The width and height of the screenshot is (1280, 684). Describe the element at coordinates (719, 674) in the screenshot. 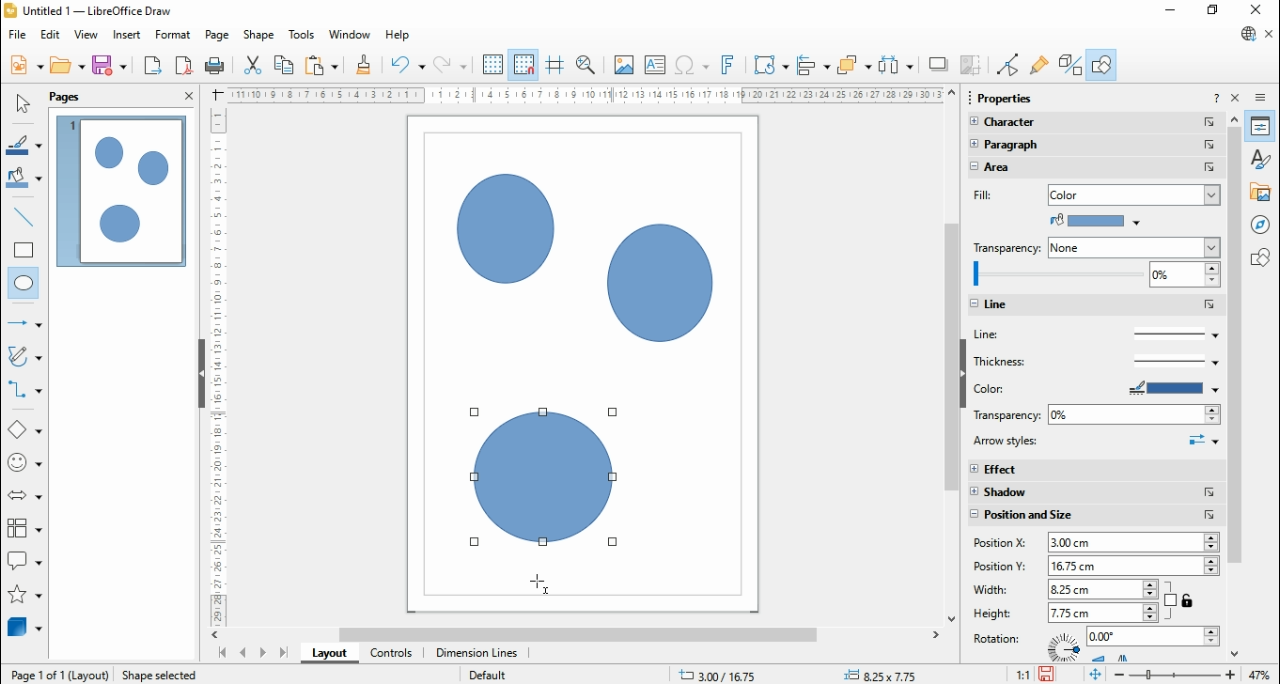

I see ` .11.58/ 13.41` at that location.